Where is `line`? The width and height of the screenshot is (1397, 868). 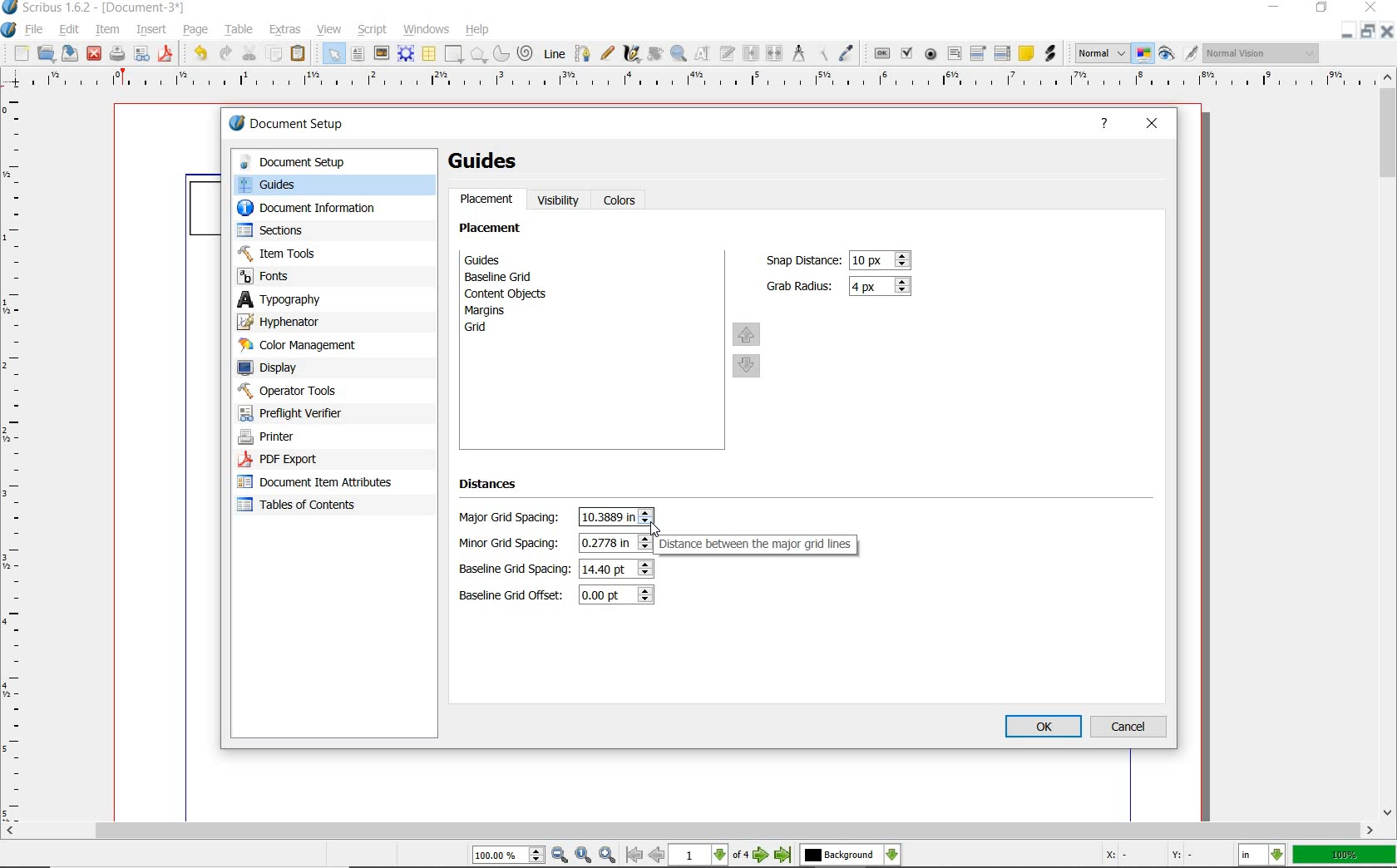 line is located at coordinates (554, 52).